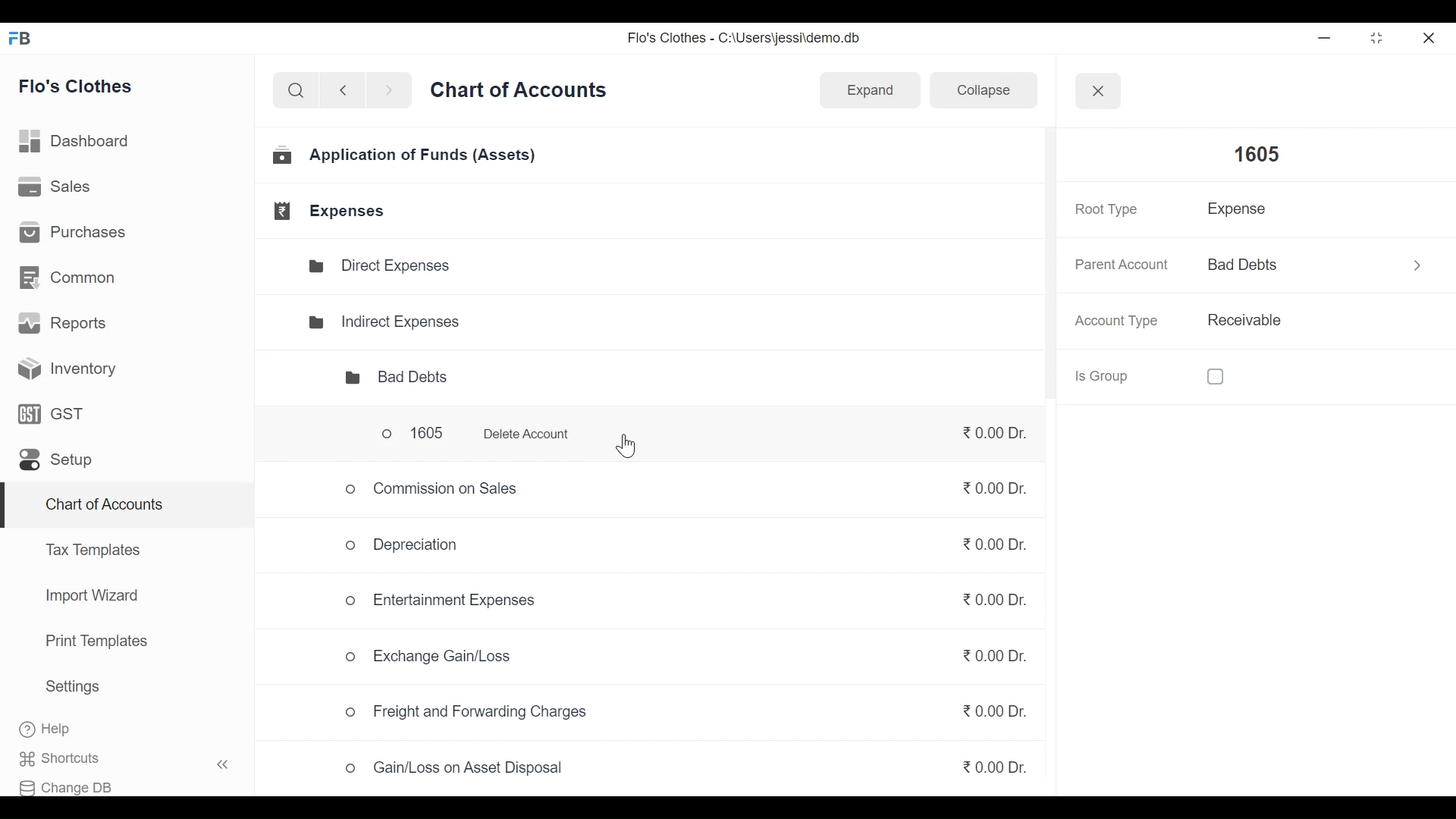 The width and height of the screenshot is (1456, 819). What do you see at coordinates (977, 93) in the screenshot?
I see `Collapse` at bounding box center [977, 93].